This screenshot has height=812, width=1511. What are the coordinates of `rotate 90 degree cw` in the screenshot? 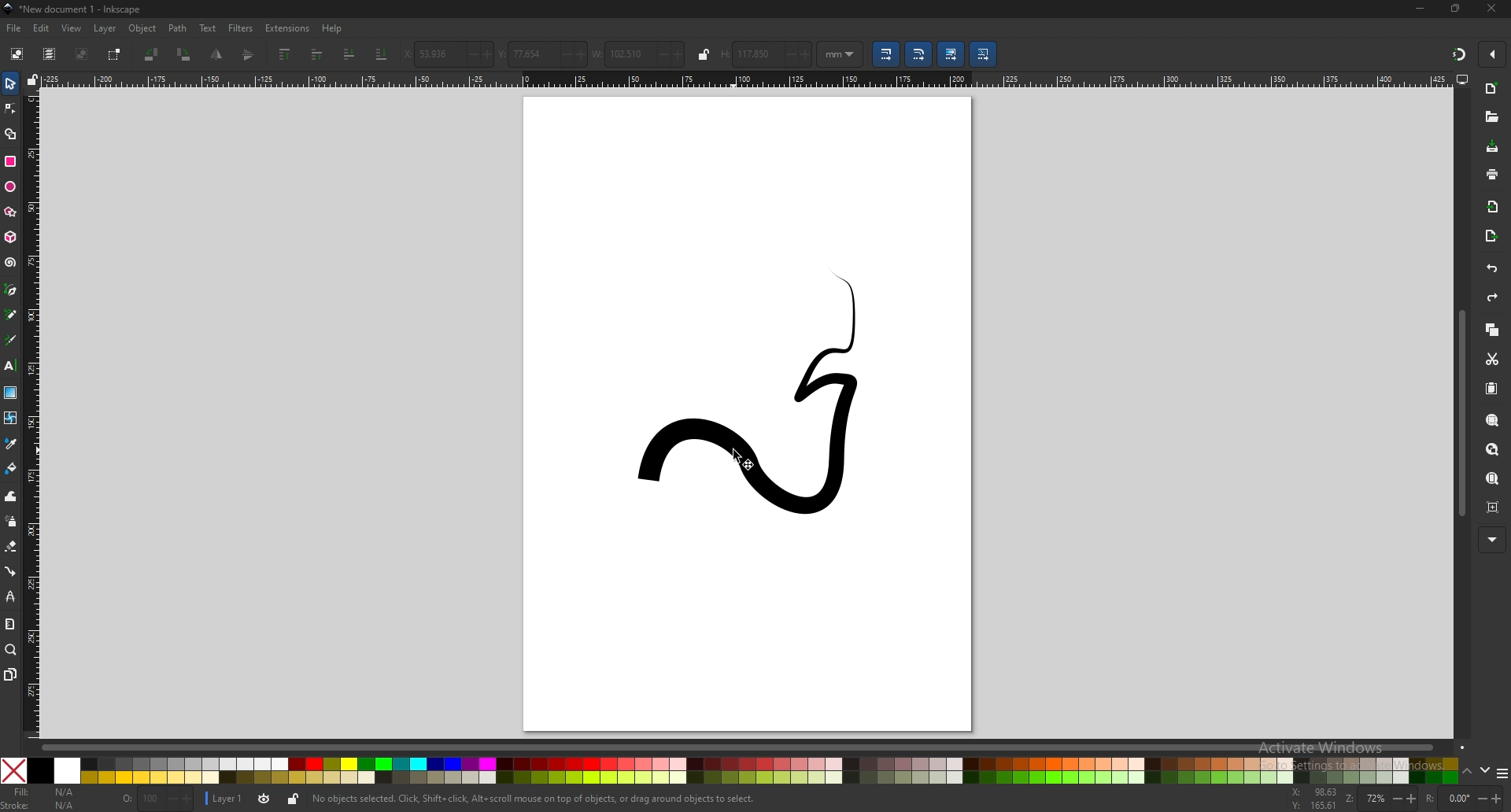 It's located at (184, 54).